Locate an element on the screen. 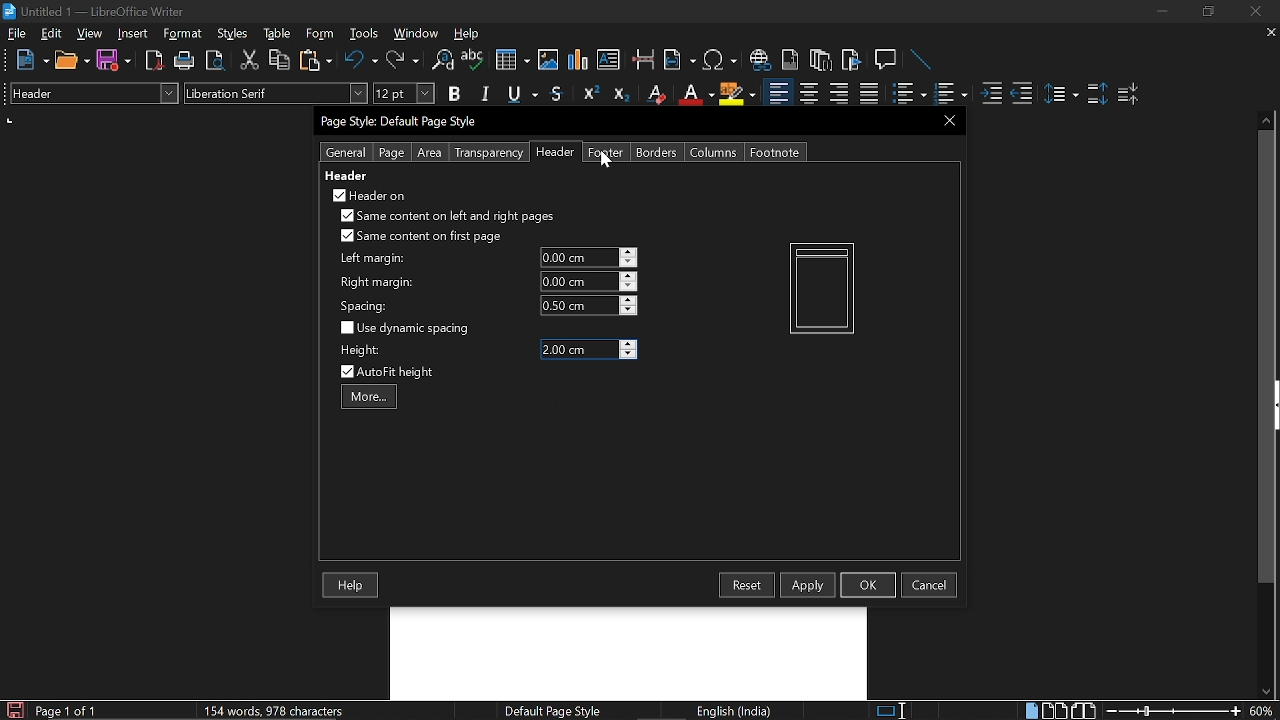  Insert footnote is located at coordinates (821, 60).